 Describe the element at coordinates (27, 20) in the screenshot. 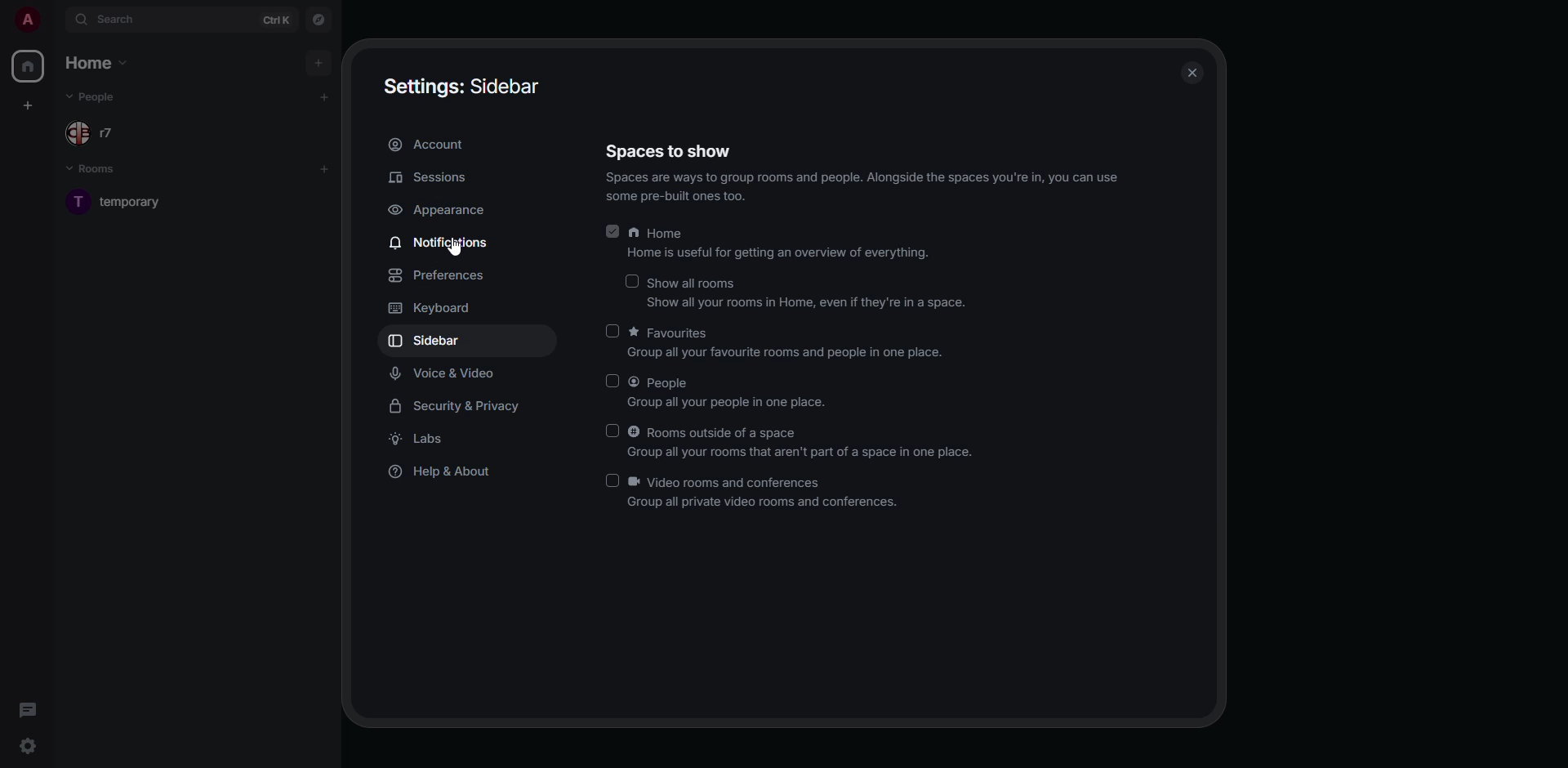

I see `profile` at that location.